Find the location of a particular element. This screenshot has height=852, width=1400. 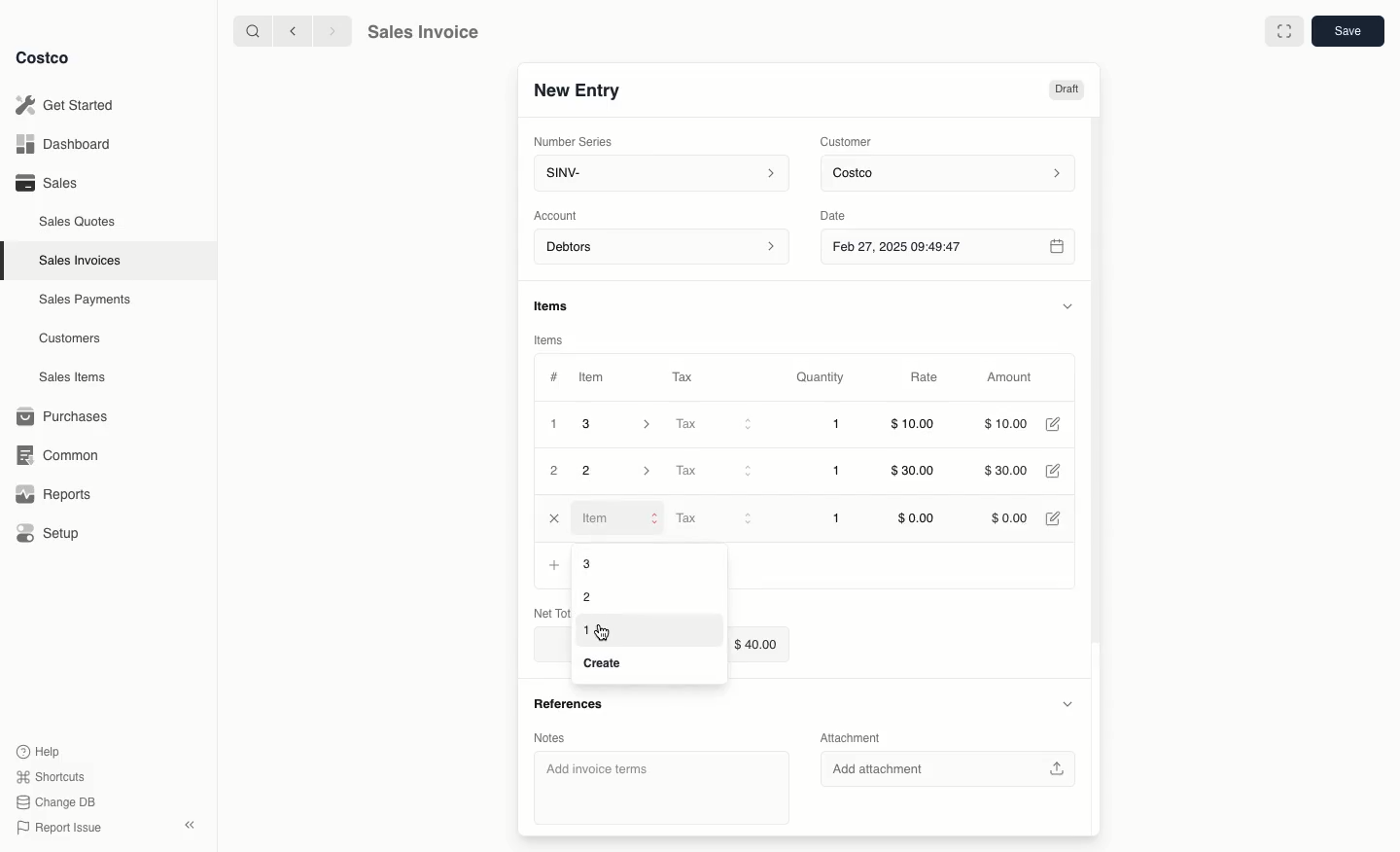

Close is located at coordinates (552, 518).